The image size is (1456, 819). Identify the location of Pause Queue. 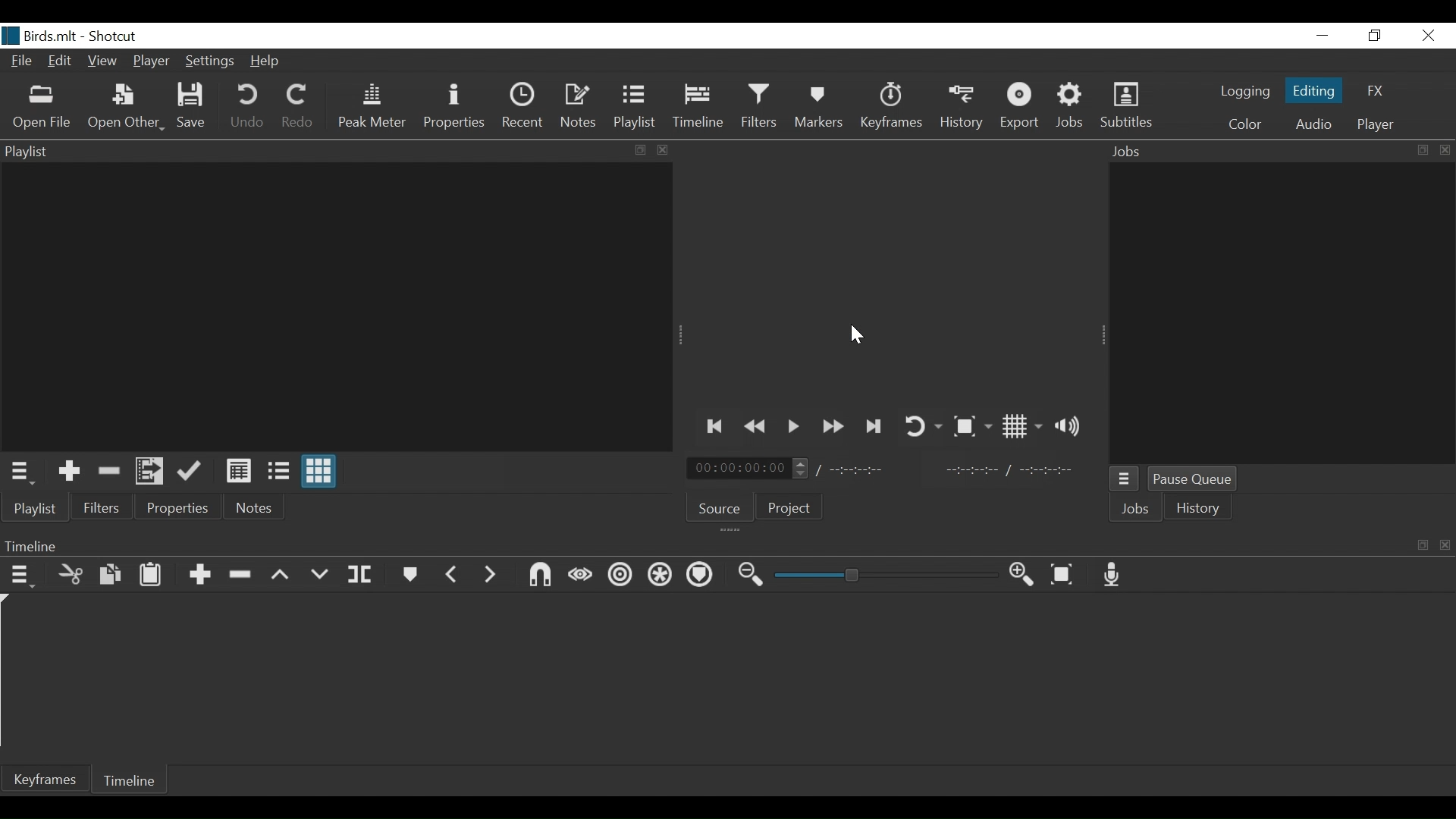
(1198, 481).